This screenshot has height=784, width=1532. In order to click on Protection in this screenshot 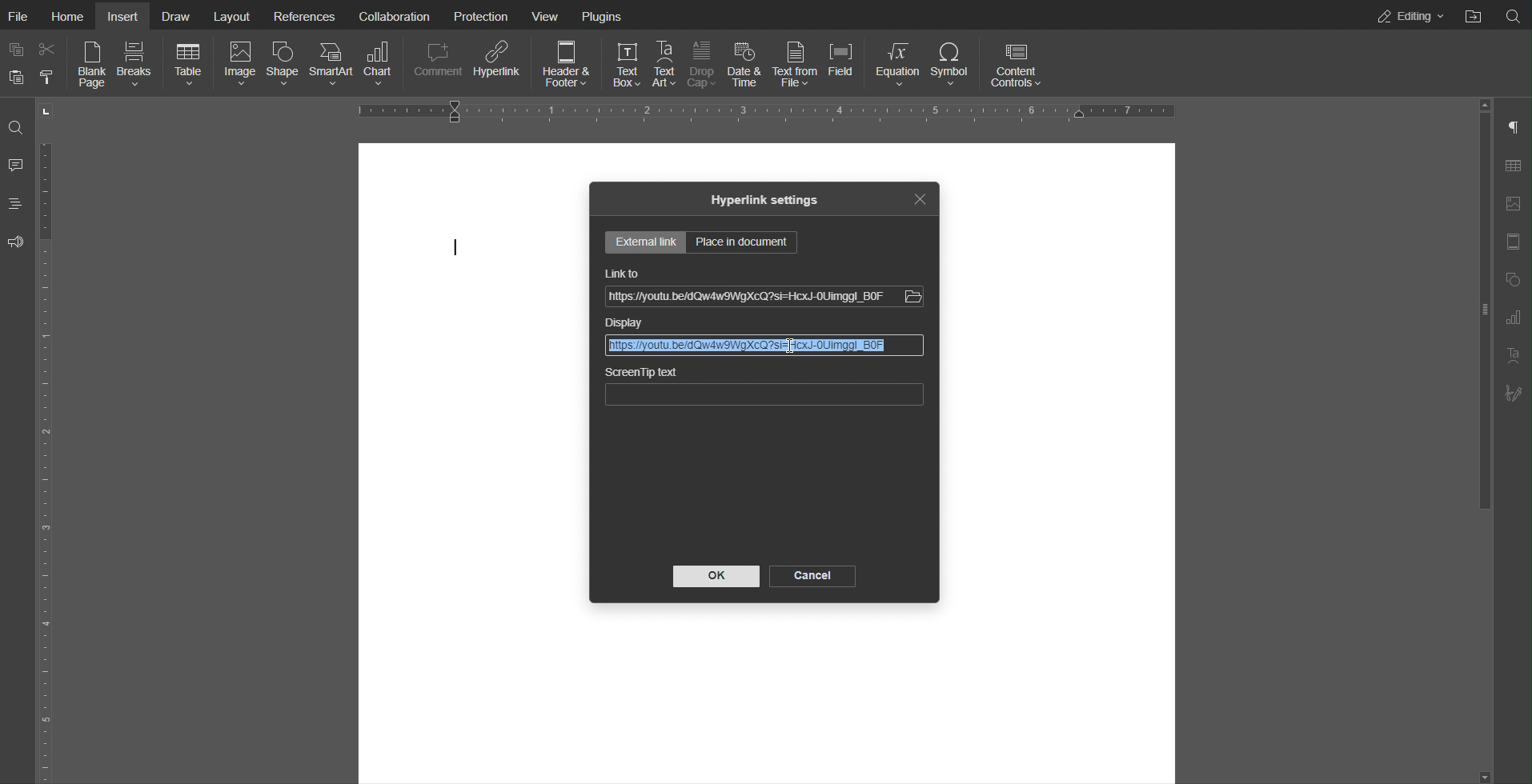, I will do `click(478, 14)`.